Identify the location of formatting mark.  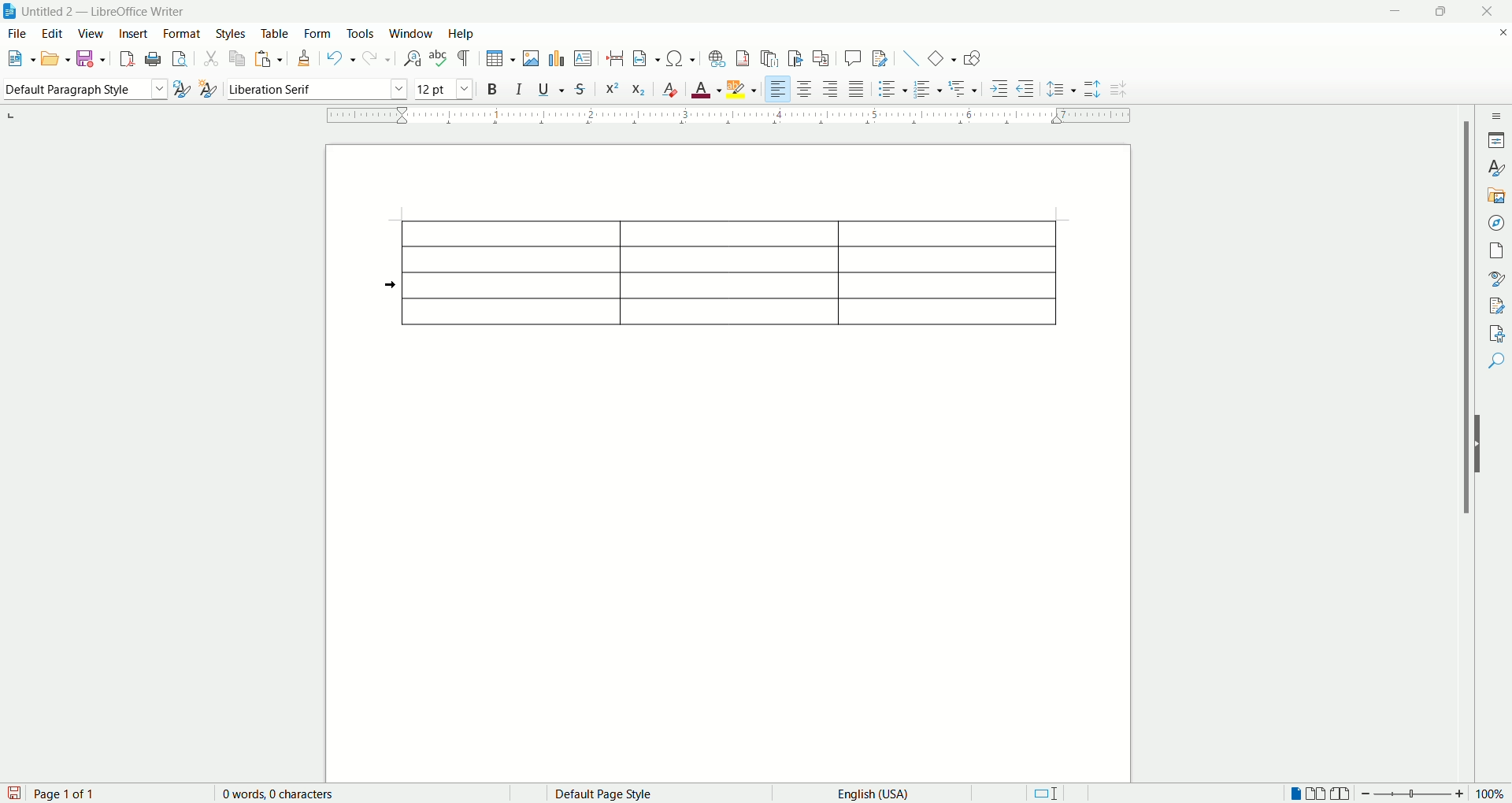
(466, 57).